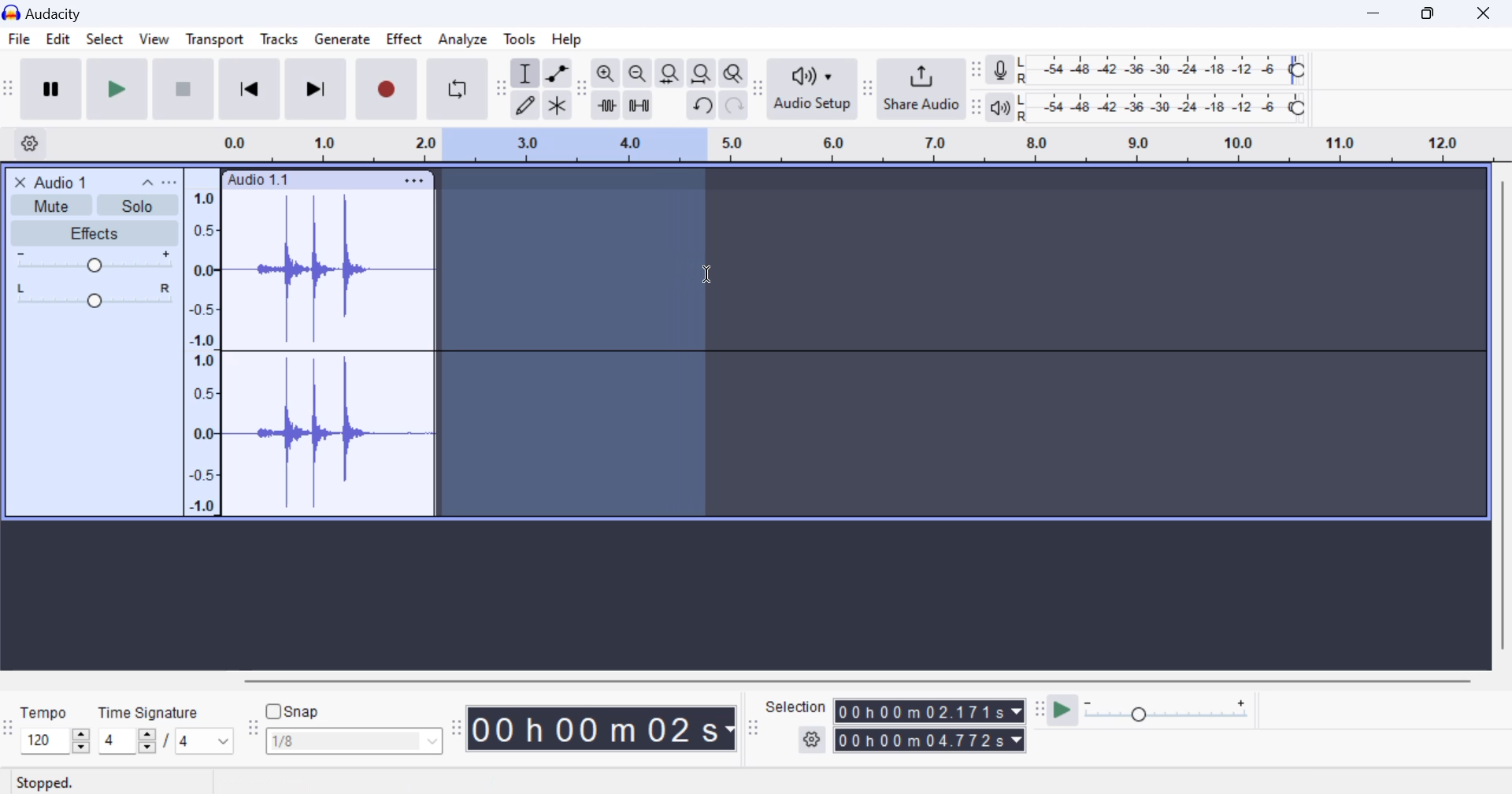 This screenshot has height=794, width=1512. Describe the element at coordinates (527, 76) in the screenshot. I see `selection tool` at that location.